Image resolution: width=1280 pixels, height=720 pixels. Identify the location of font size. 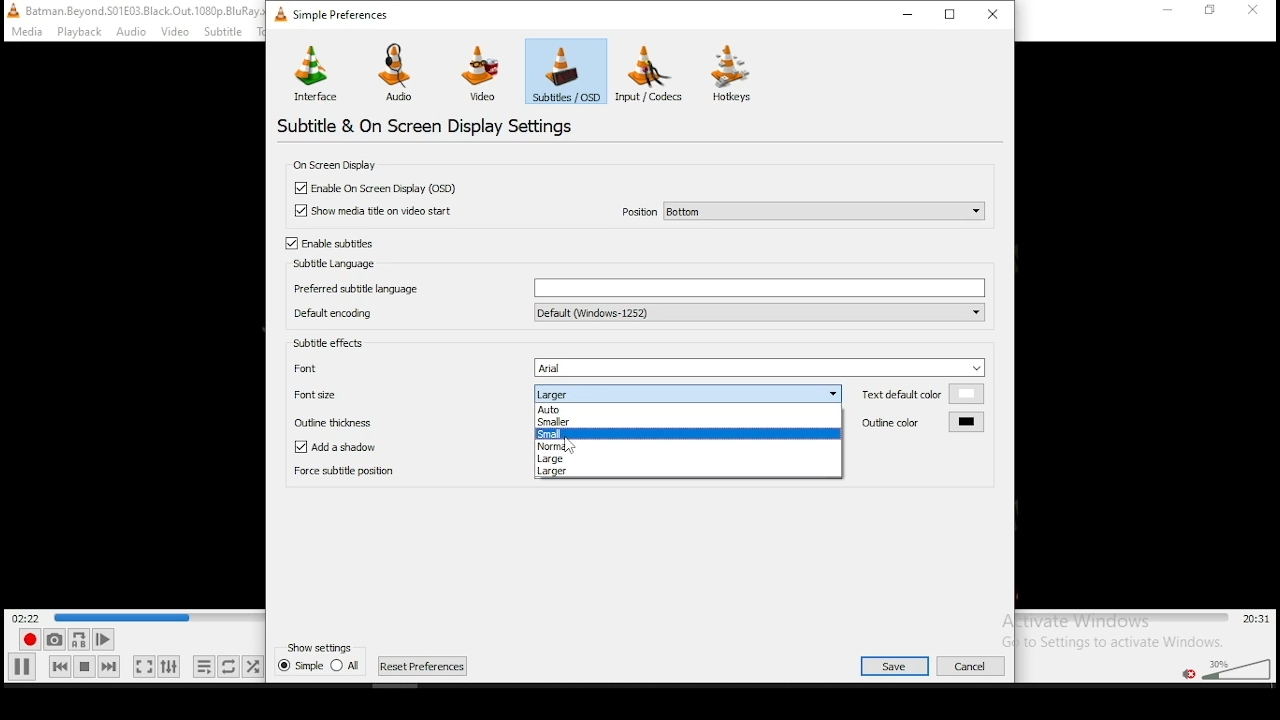
(571, 392).